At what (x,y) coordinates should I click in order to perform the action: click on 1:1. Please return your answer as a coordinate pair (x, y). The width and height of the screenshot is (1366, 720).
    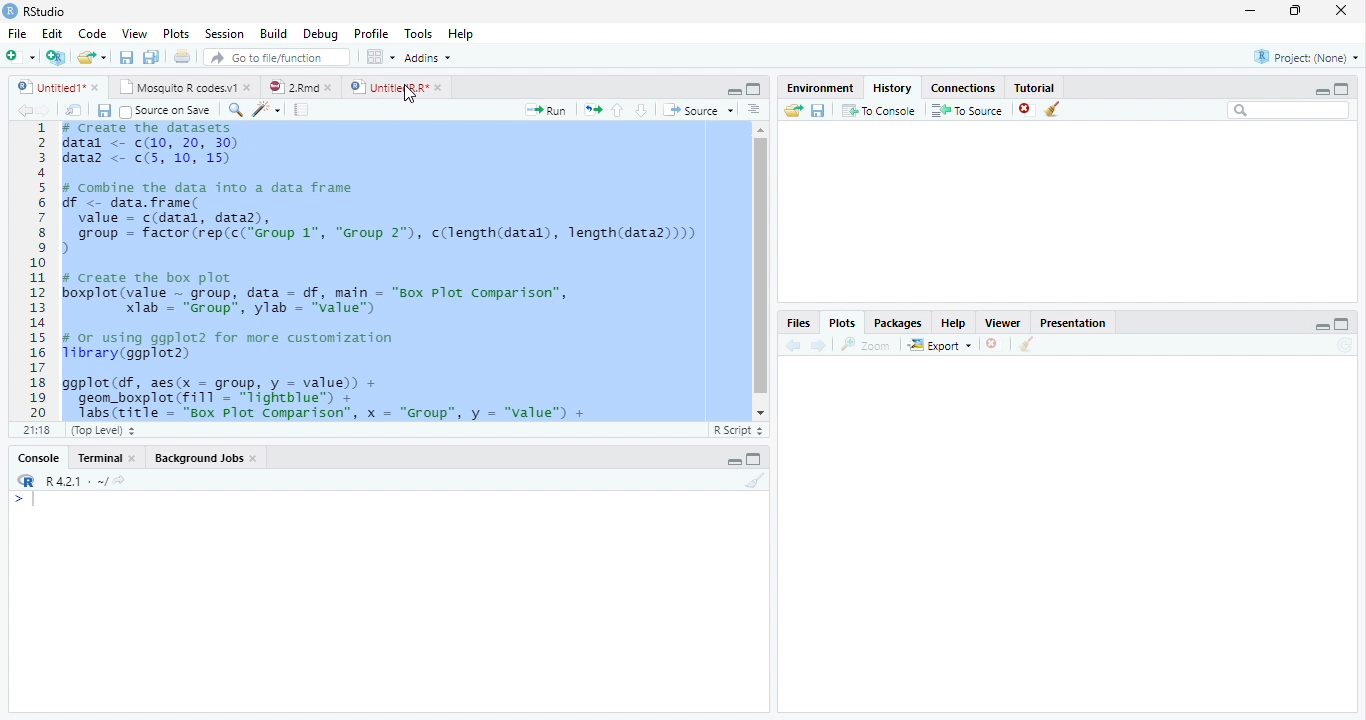
    Looking at the image, I should click on (35, 430).